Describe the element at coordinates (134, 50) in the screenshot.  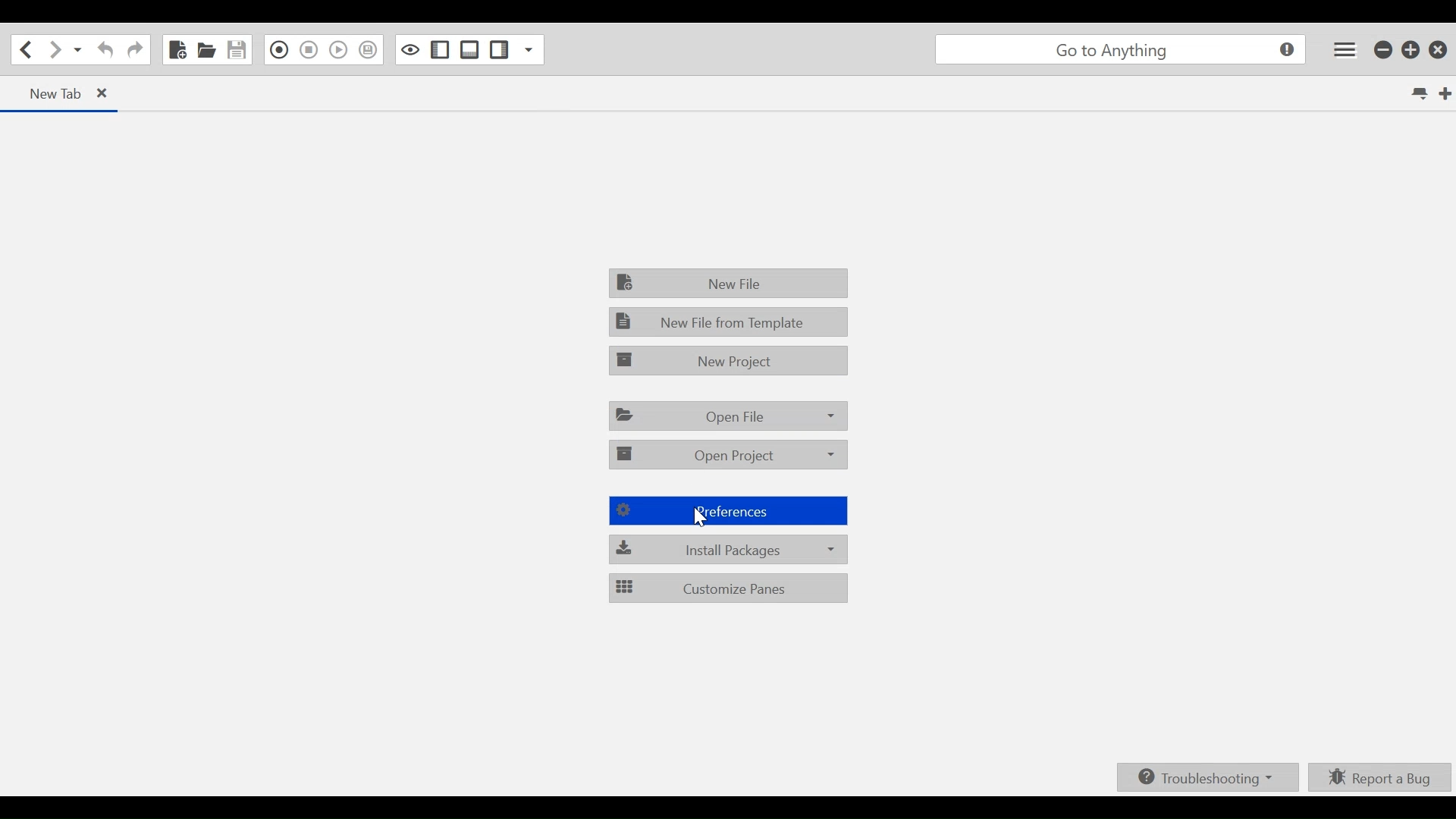
I see `Redo last action` at that location.